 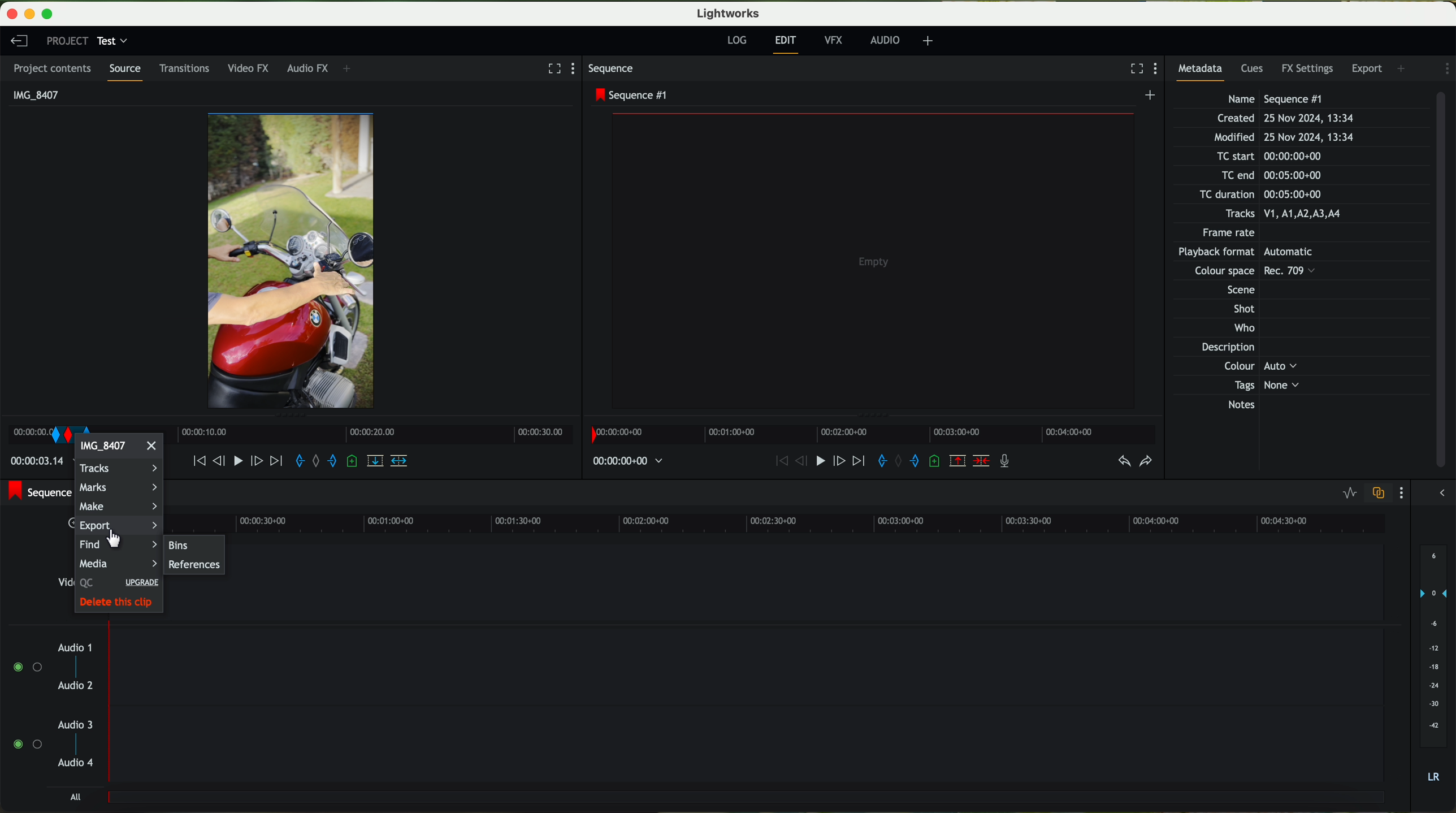 I want to click on create a new sequence, so click(x=1151, y=97).